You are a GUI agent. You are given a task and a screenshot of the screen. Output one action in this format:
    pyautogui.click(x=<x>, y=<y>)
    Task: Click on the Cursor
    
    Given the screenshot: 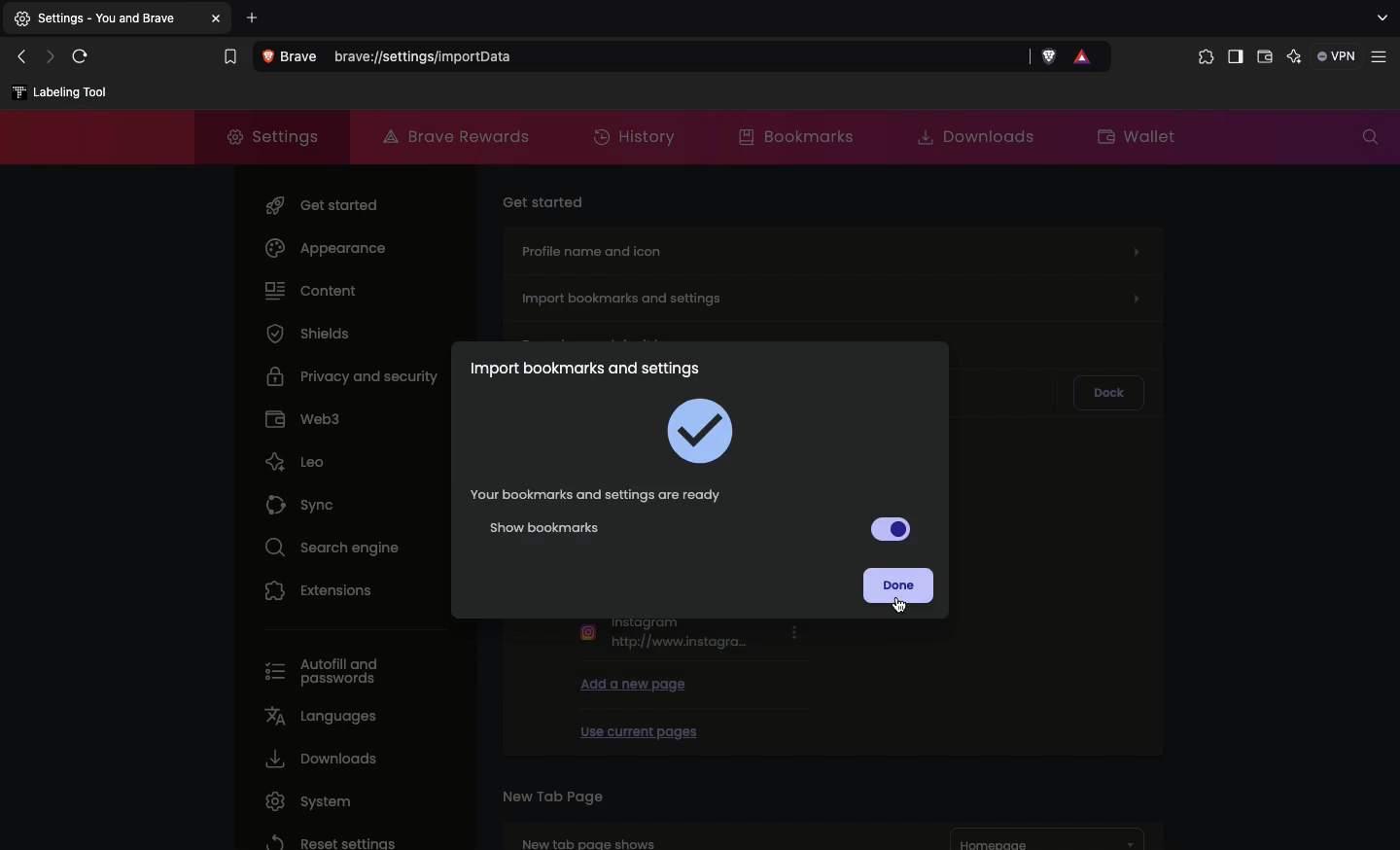 What is the action you would take?
    pyautogui.click(x=897, y=606)
    